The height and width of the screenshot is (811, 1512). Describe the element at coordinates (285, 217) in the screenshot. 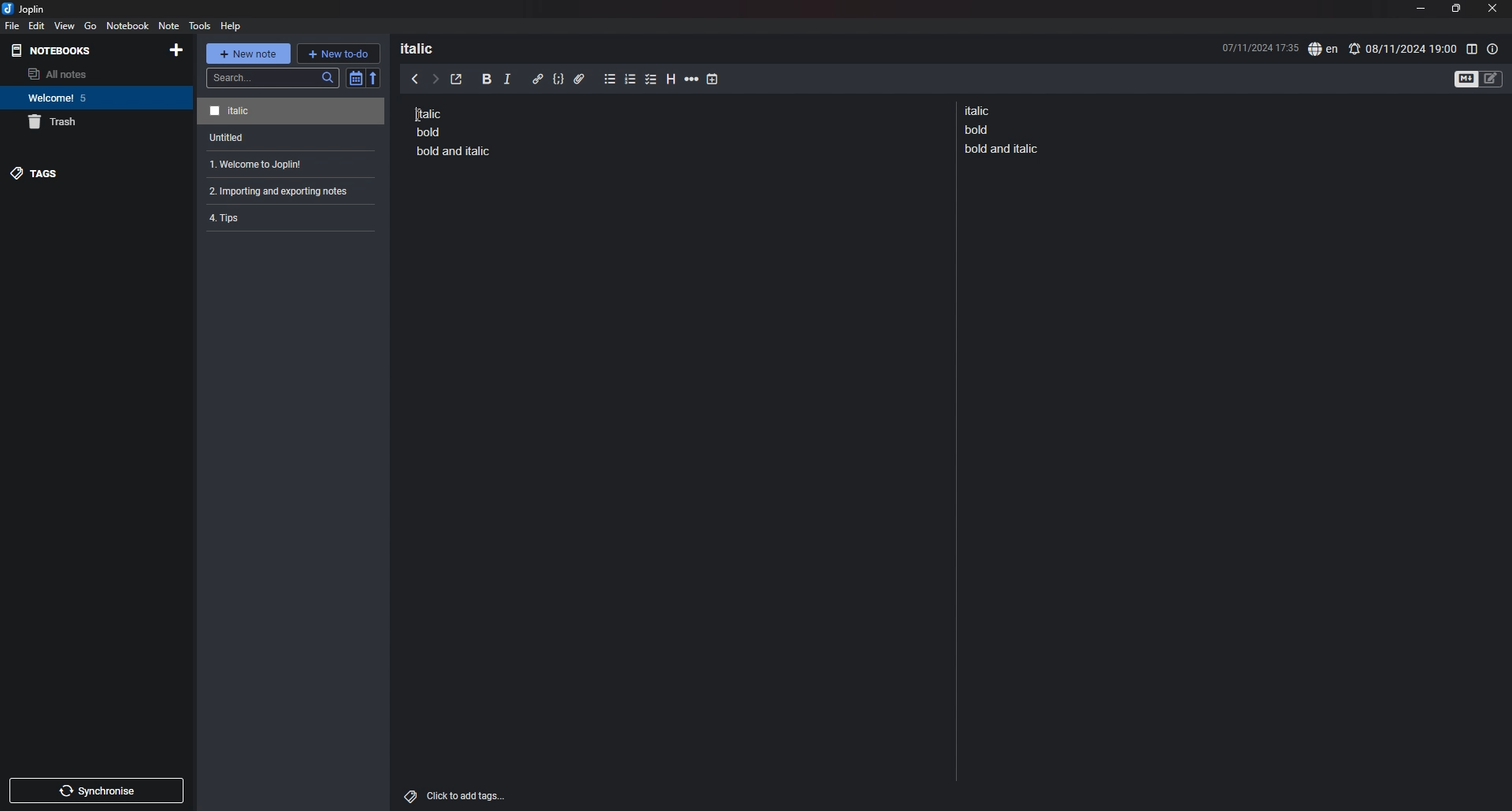

I see `note` at that location.